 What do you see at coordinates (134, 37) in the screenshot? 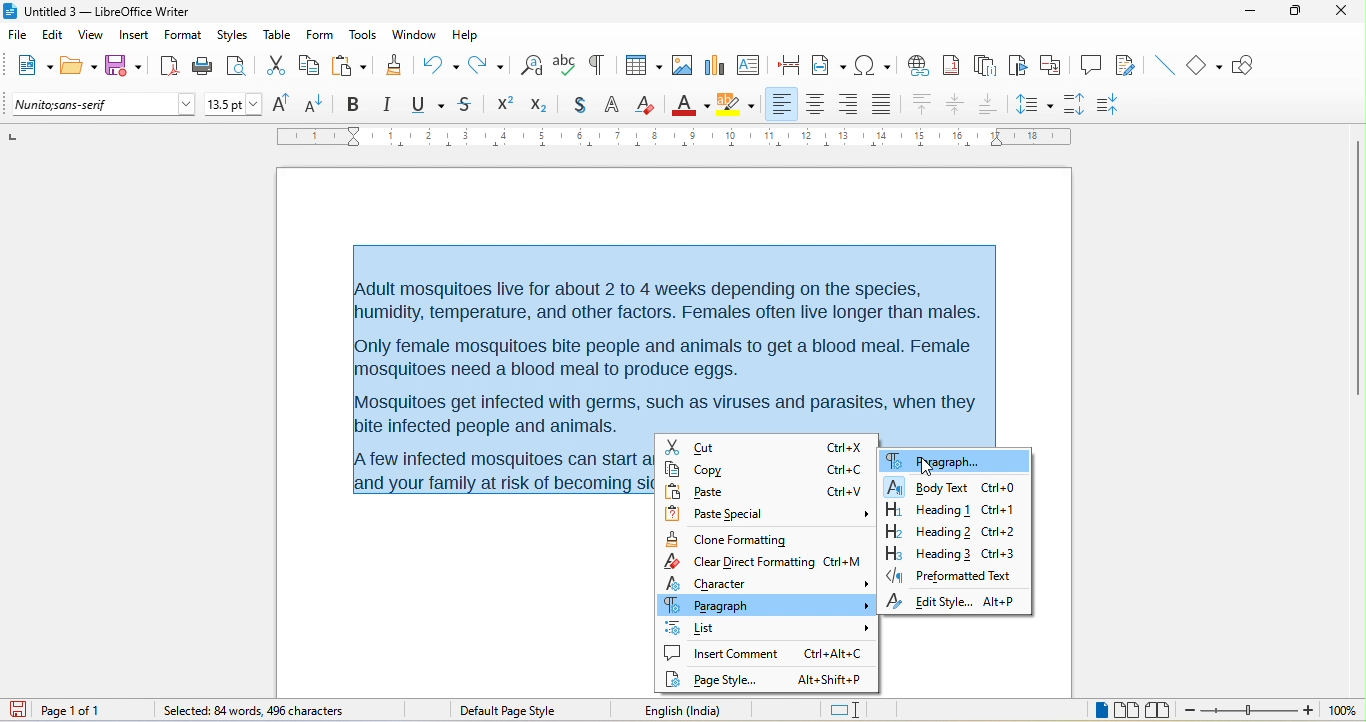
I see `insert` at bounding box center [134, 37].